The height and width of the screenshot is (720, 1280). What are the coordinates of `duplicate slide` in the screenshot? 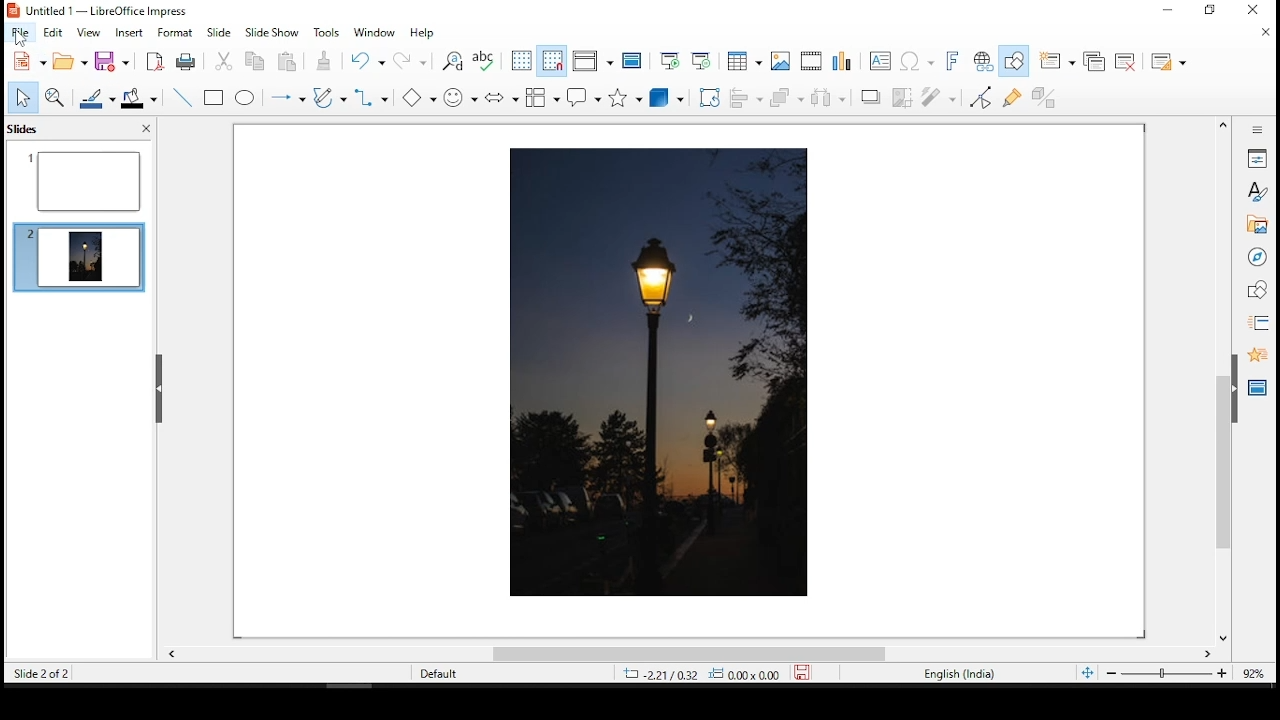 It's located at (1096, 63).